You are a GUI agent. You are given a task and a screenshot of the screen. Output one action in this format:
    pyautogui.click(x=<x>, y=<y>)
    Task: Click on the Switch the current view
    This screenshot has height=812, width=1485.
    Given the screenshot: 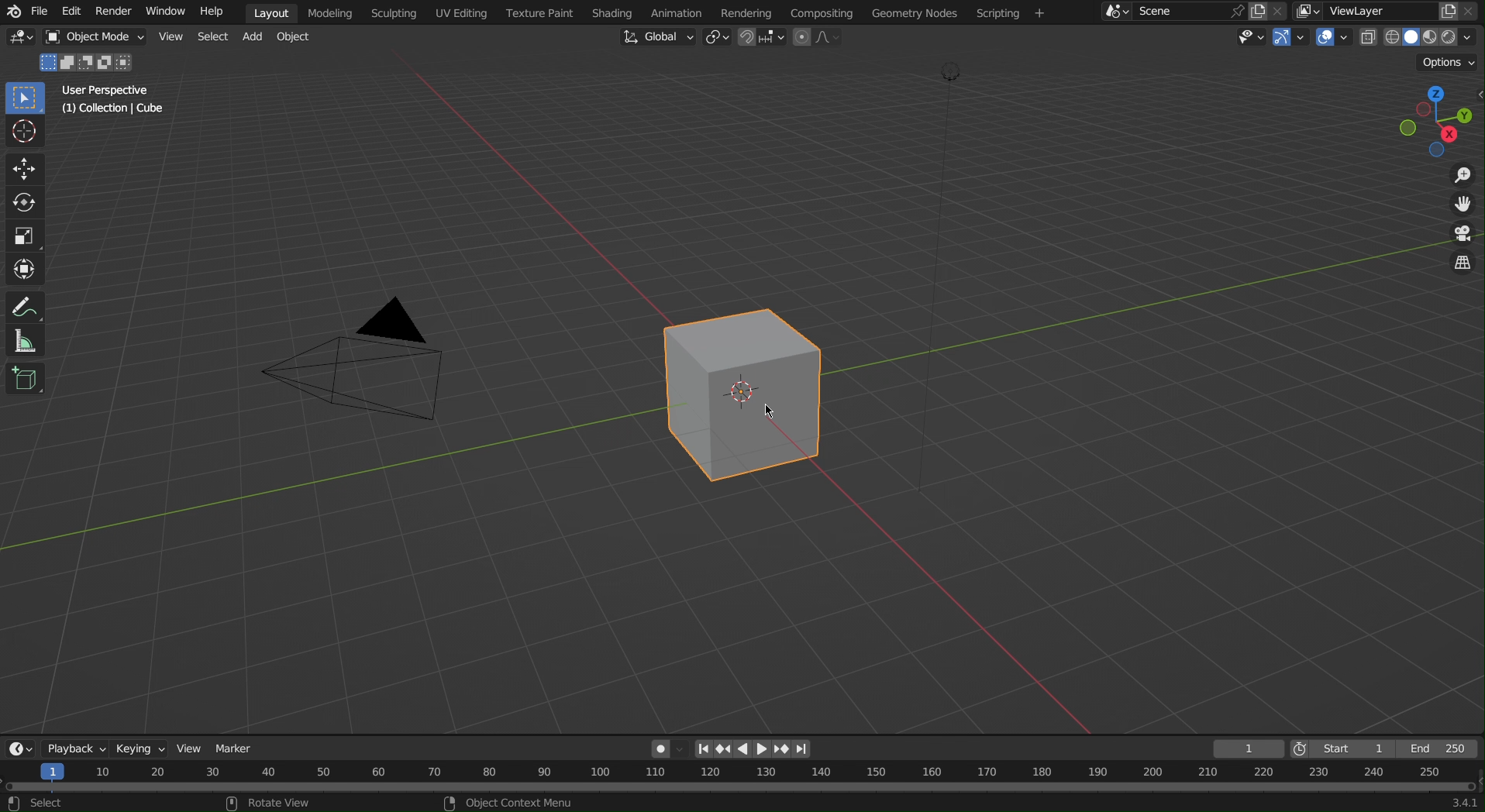 What is the action you would take?
    pyautogui.click(x=1459, y=262)
    